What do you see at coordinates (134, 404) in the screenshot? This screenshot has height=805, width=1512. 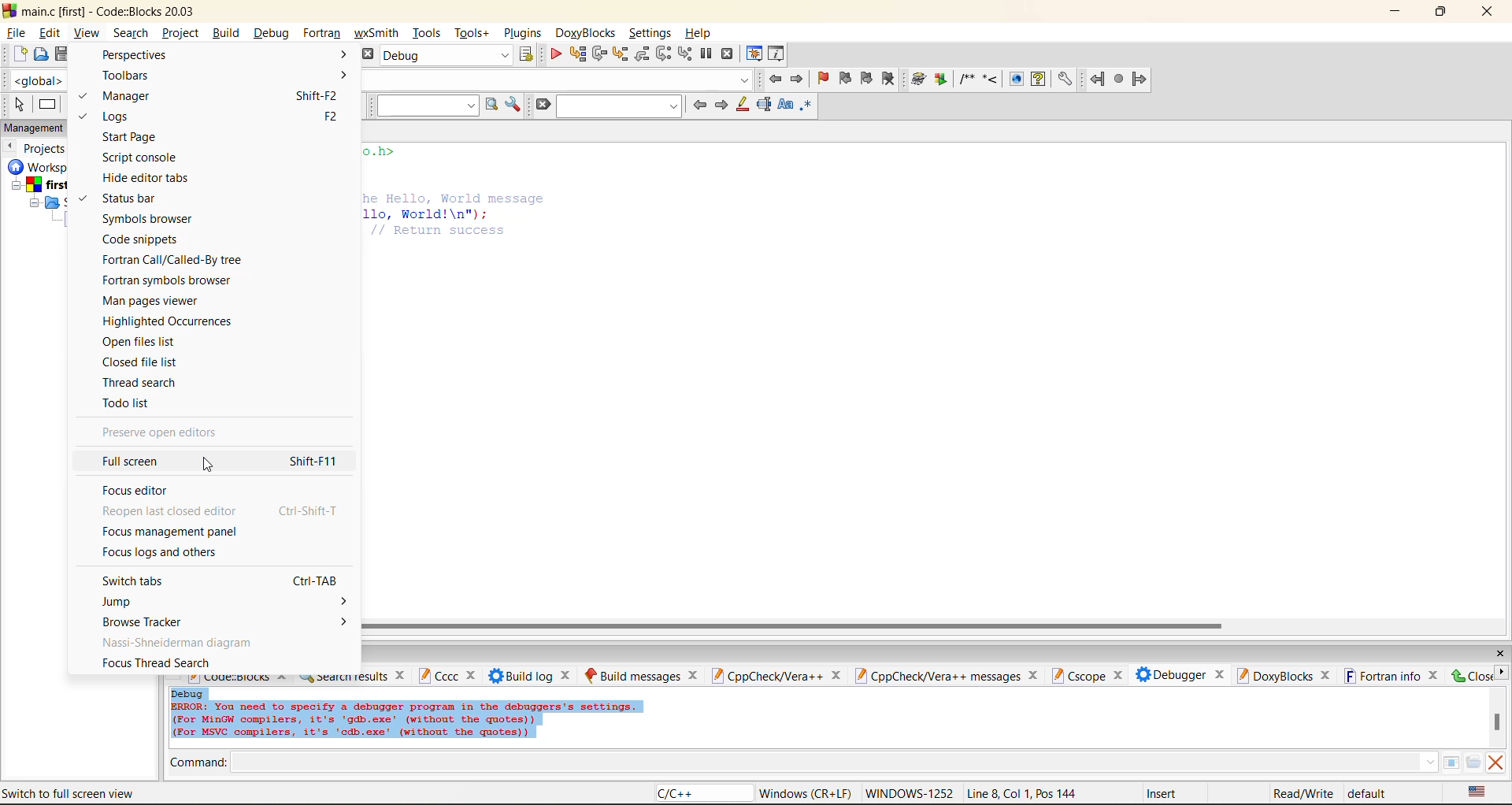 I see `todo list` at bounding box center [134, 404].